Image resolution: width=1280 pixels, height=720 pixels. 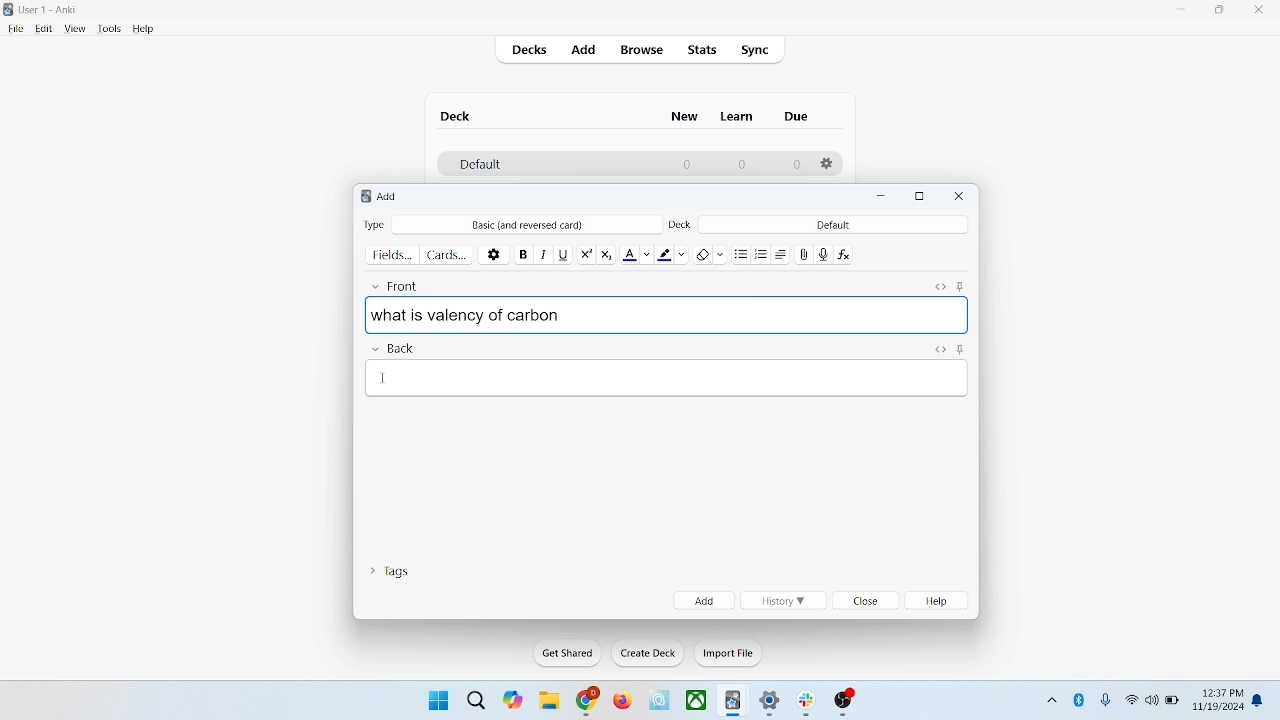 I want to click on 11/19/2024, so click(x=1217, y=708).